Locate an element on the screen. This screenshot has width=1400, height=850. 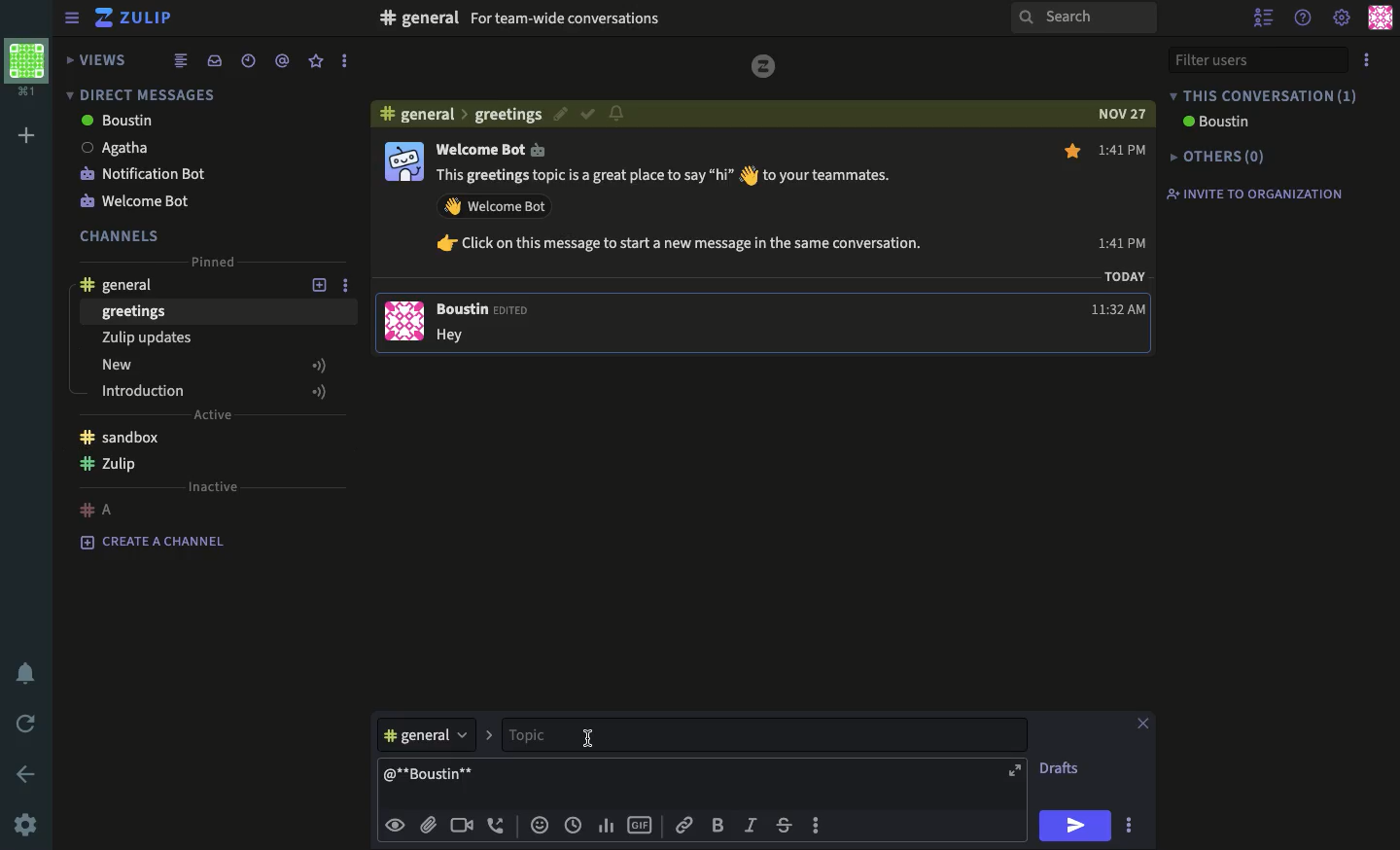
link is located at coordinates (682, 825).